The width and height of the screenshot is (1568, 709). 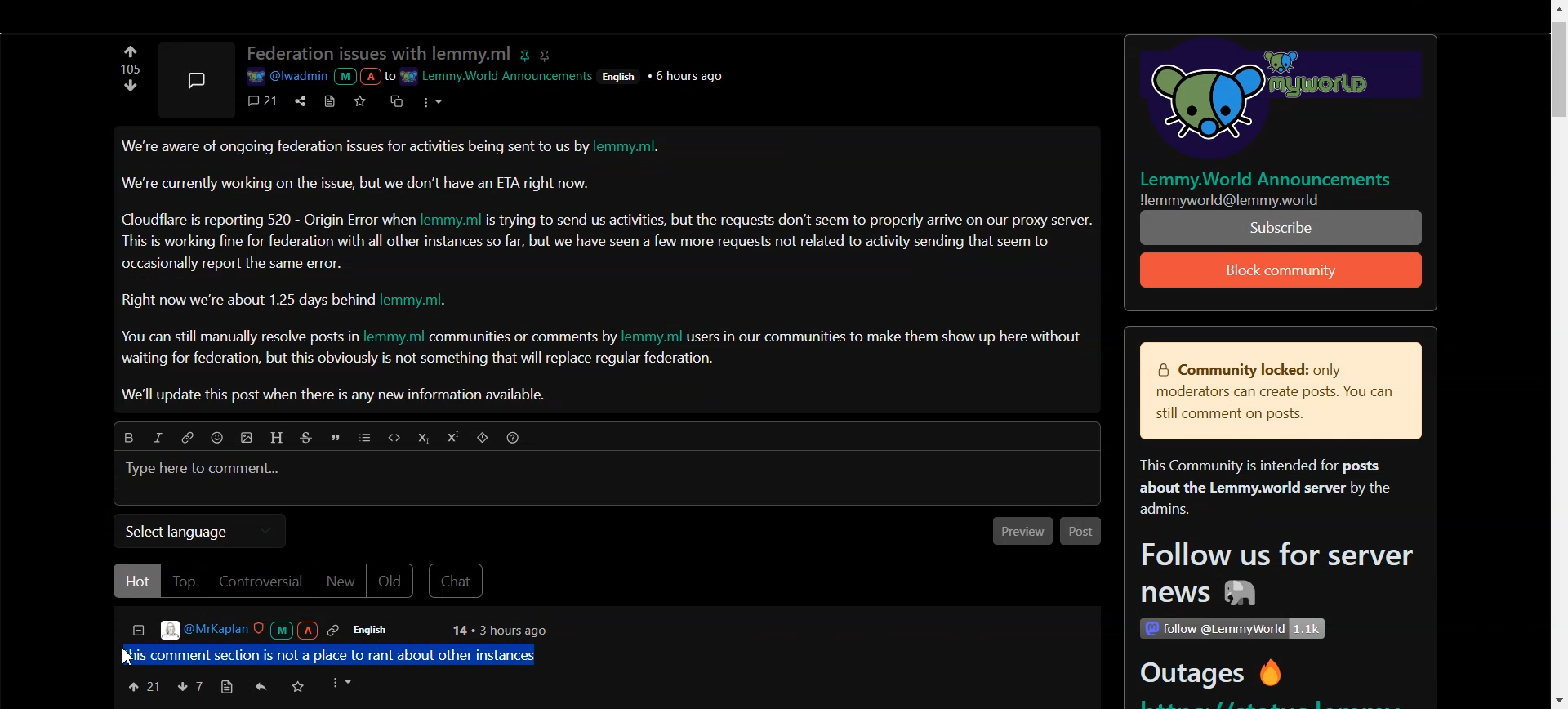 I want to click on properly arrive on our proxy server.
PE TEI SON TE WT, so click(x=1283, y=227).